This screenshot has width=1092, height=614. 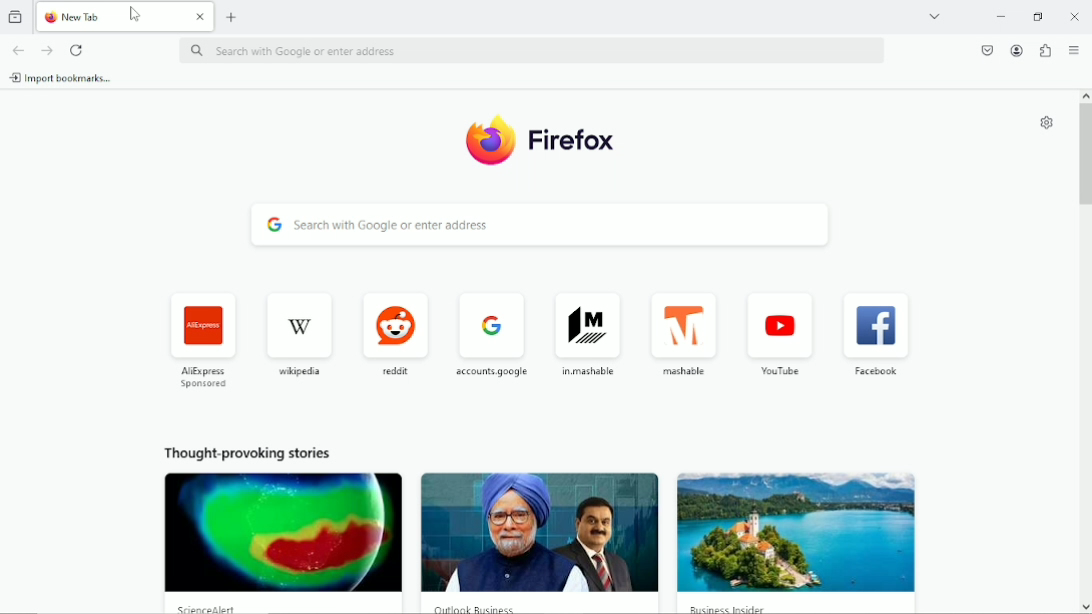 What do you see at coordinates (683, 333) in the screenshot?
I see `mashable` at bounding box center [683, 333].